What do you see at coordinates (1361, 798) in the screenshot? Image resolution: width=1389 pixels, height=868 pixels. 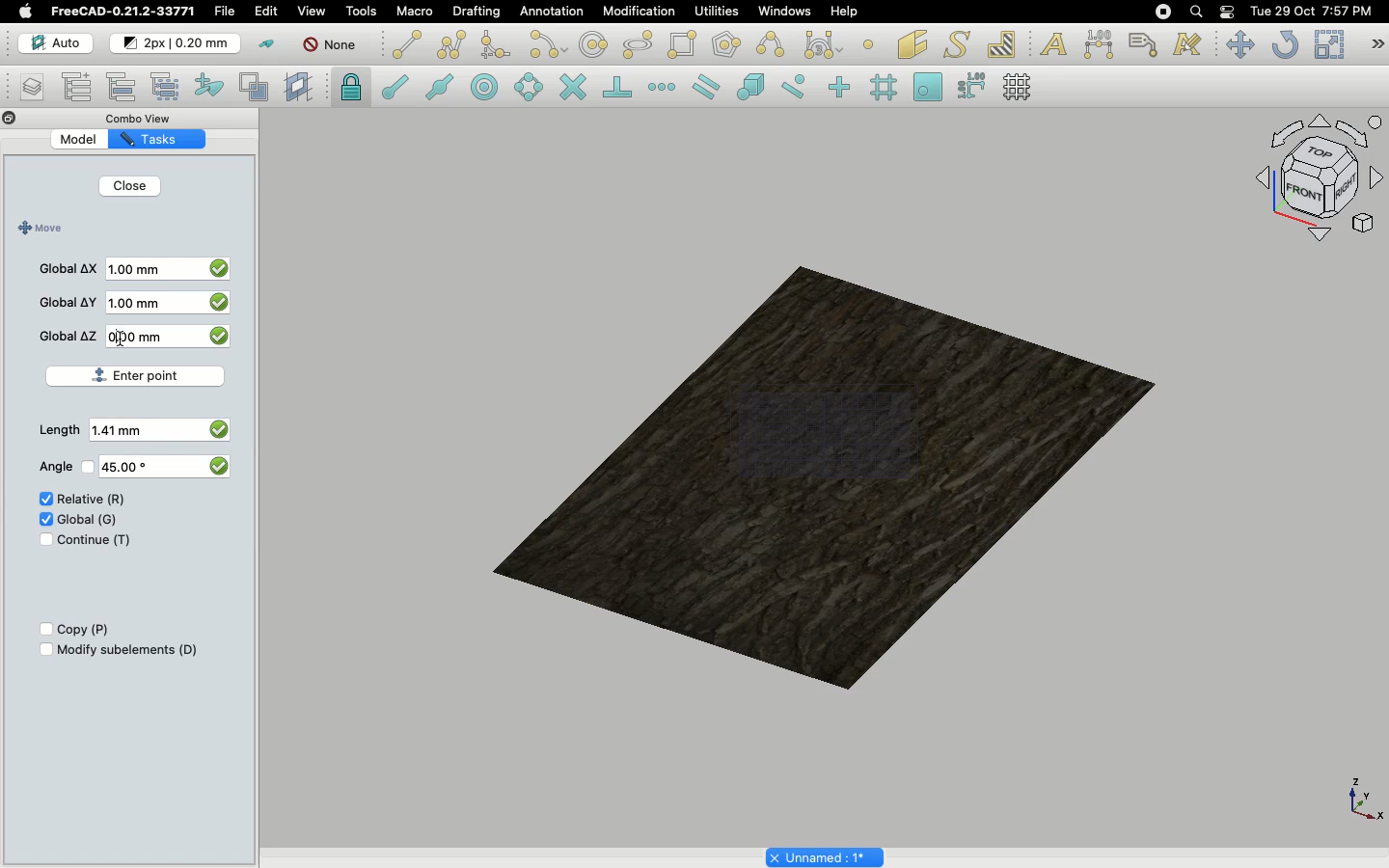 I see `Axis` at bounding box center [1361, 798].